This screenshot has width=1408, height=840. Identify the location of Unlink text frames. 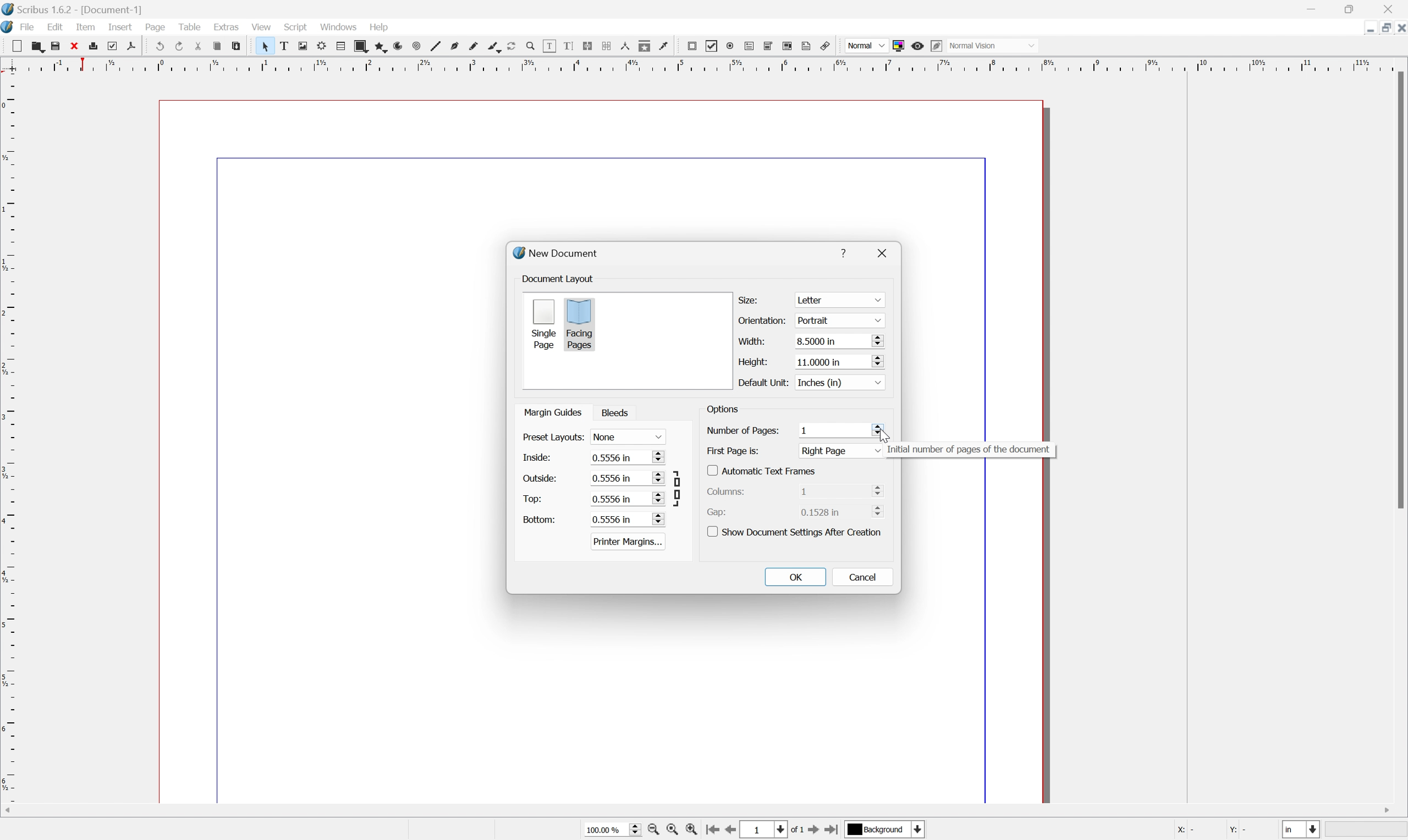
(609, 47).